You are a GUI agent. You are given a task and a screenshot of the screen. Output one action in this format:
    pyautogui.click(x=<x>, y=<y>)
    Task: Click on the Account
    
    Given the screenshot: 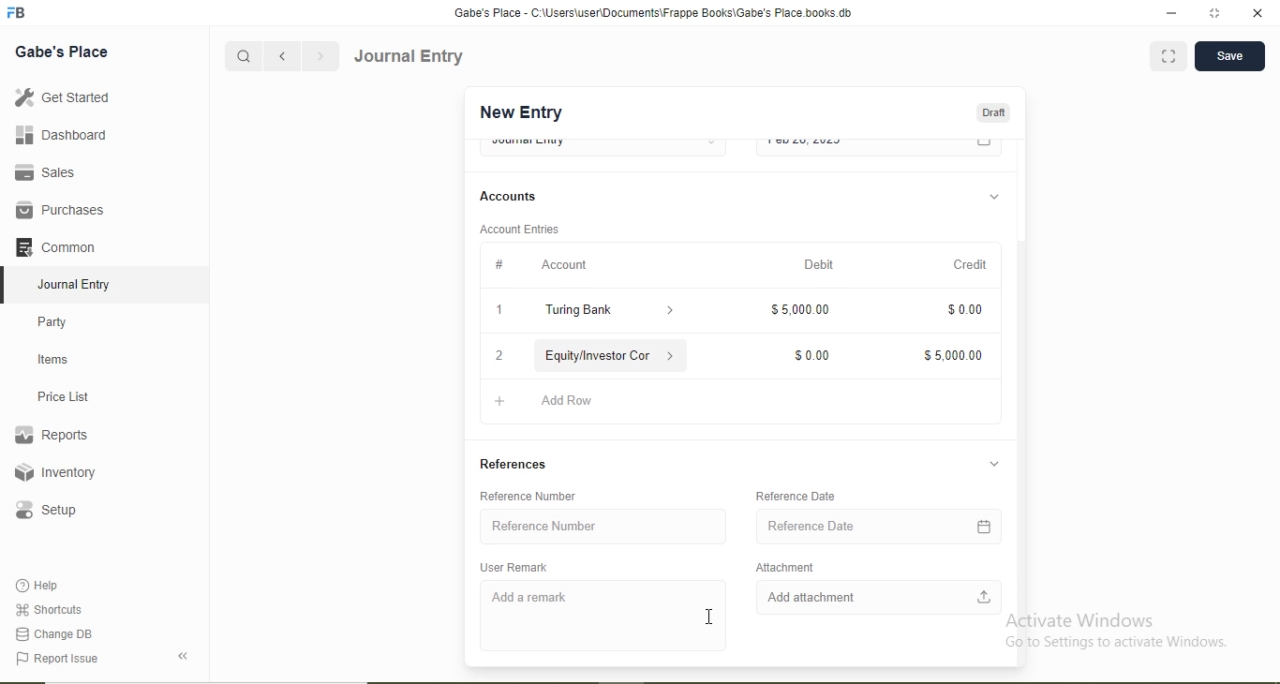 What is the action you would take?
    pyautogui.click(x=566, y=264)
    